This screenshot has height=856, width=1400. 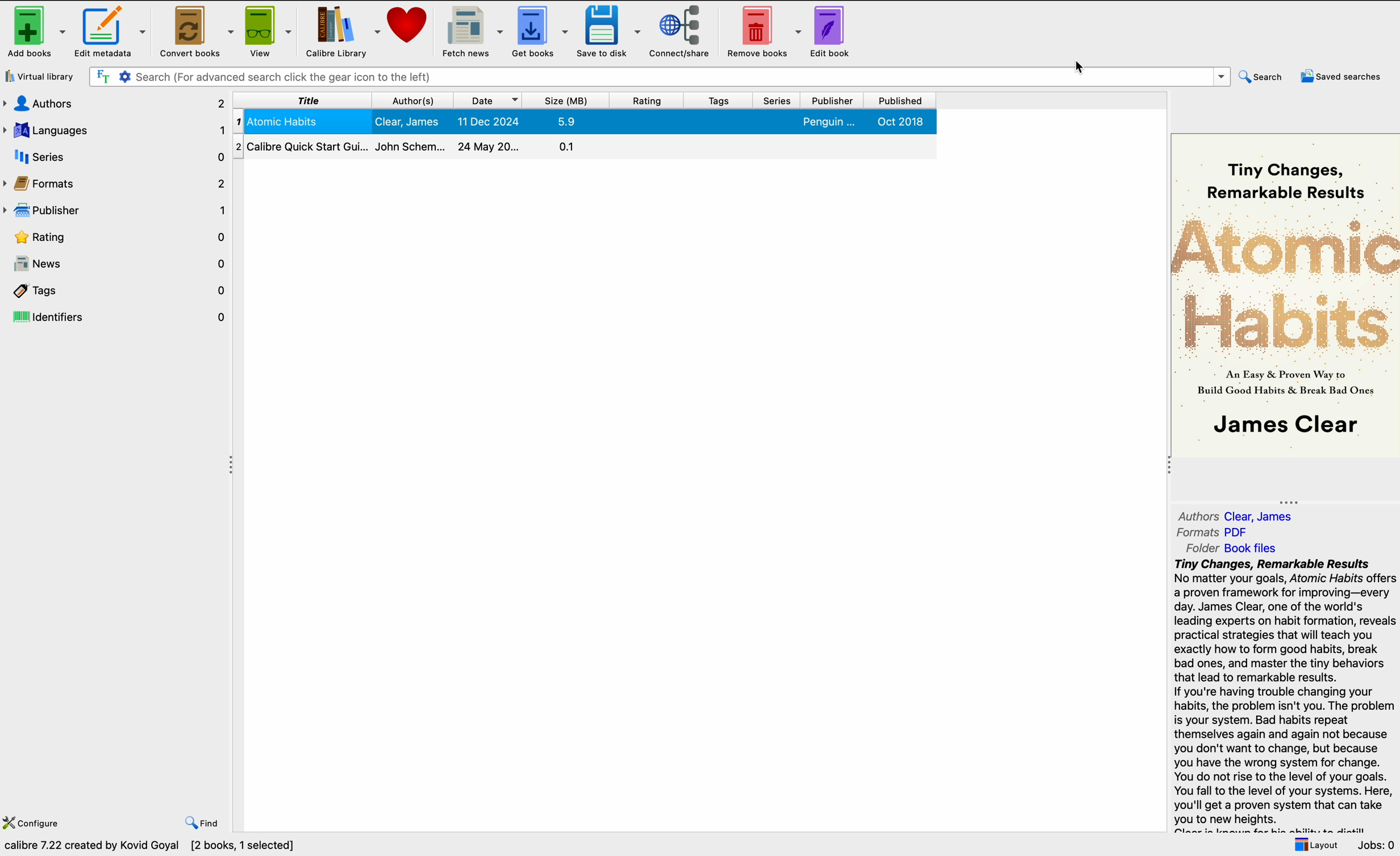 I want to click on rating, so click(x=647, y=100).